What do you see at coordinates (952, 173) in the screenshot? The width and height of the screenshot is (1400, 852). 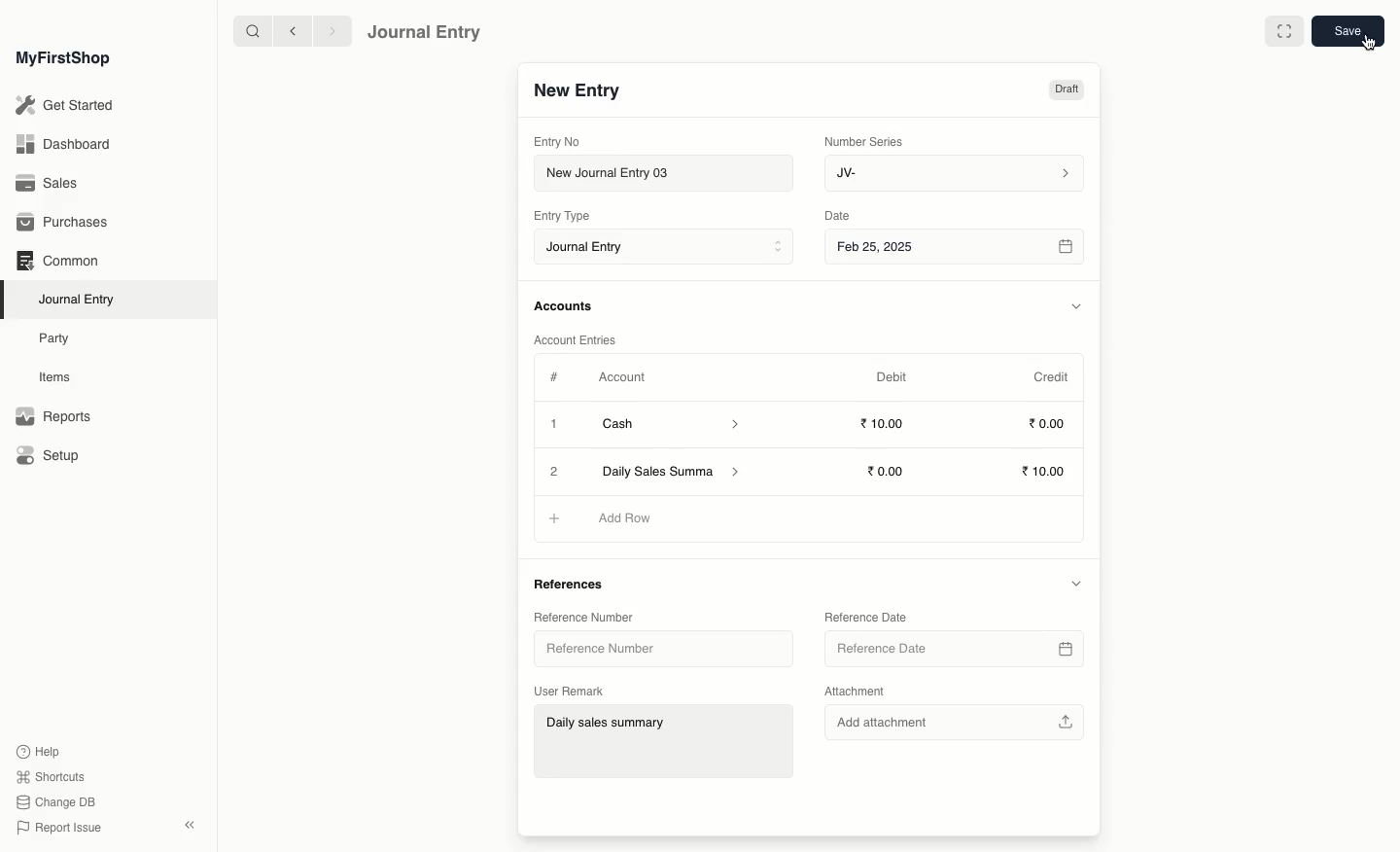 I see `JV-` at bounding box center [952, 173].